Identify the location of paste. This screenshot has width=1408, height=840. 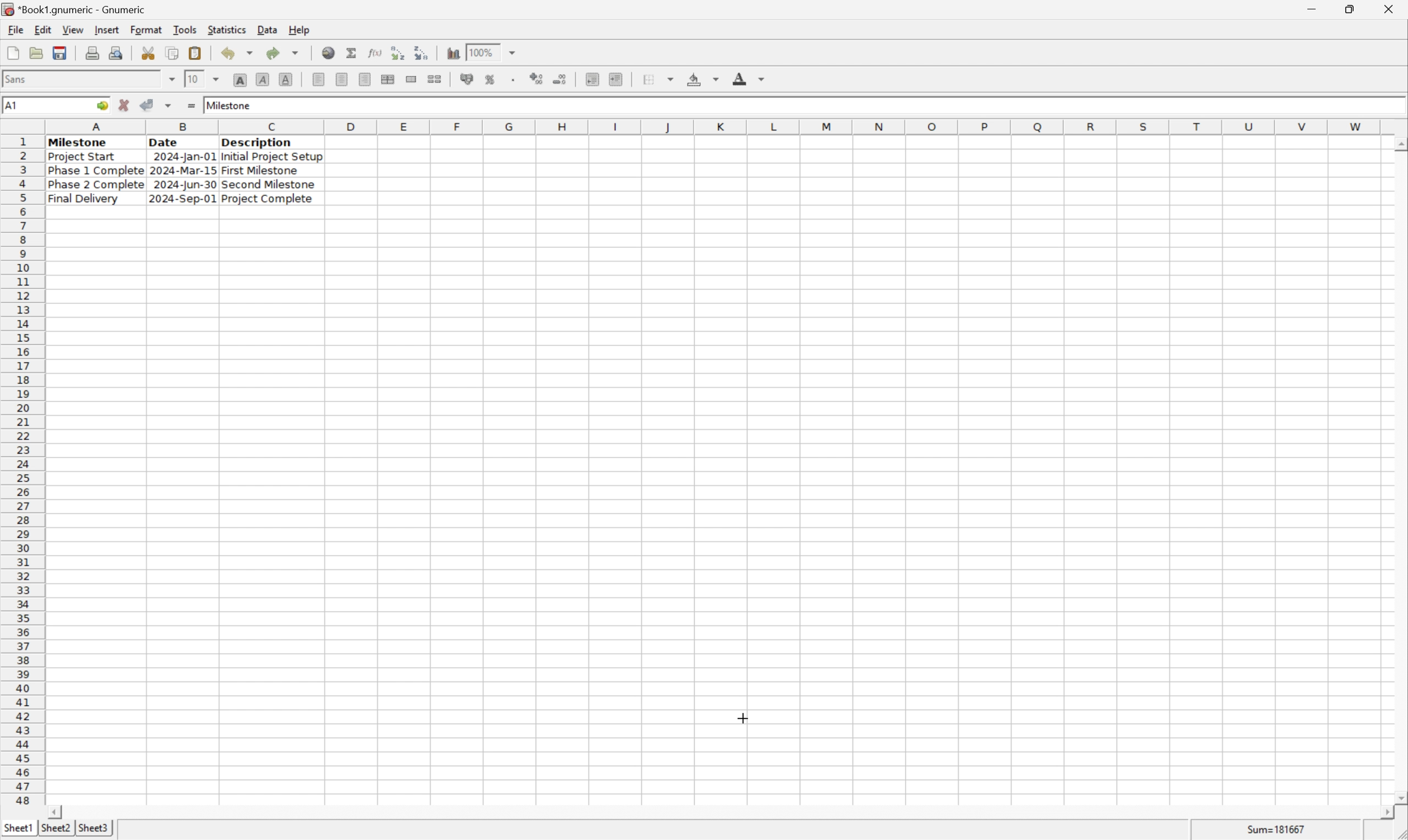
(195, 53).